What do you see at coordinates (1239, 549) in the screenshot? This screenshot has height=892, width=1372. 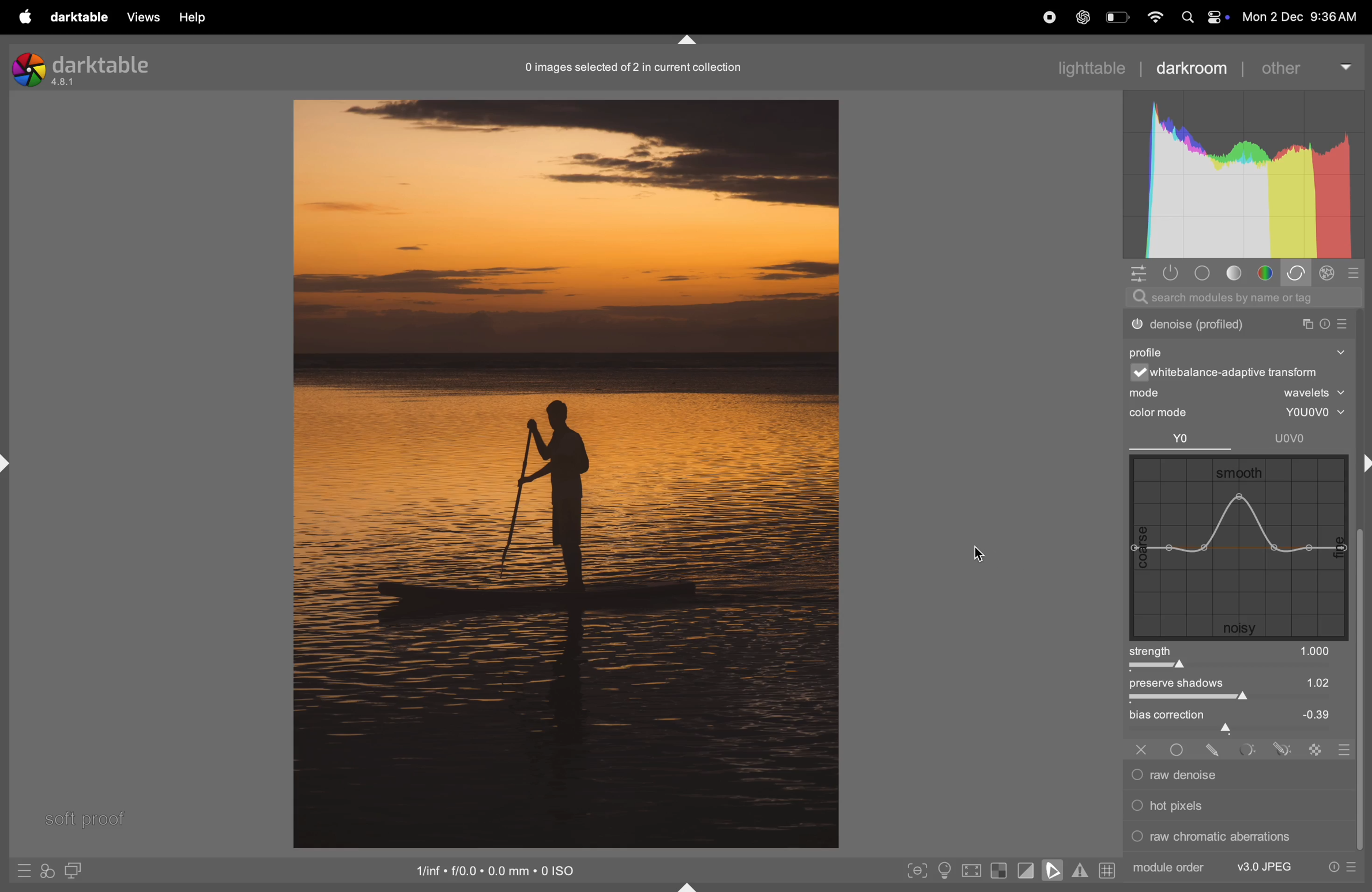 I see `noise graph` at bounding box center [1239, 549].